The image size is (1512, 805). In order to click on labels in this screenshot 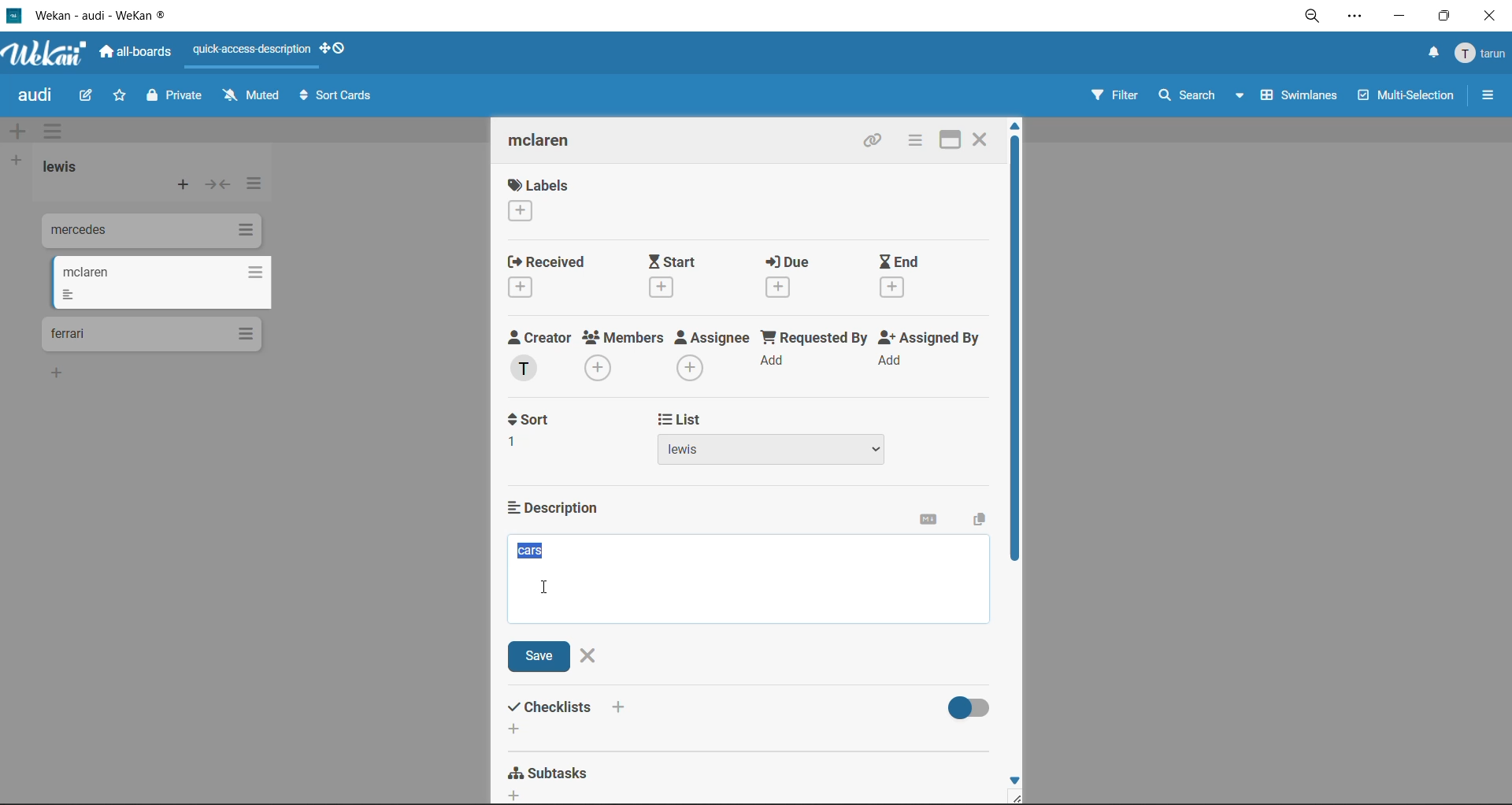, I will do `click(539, 199)`.